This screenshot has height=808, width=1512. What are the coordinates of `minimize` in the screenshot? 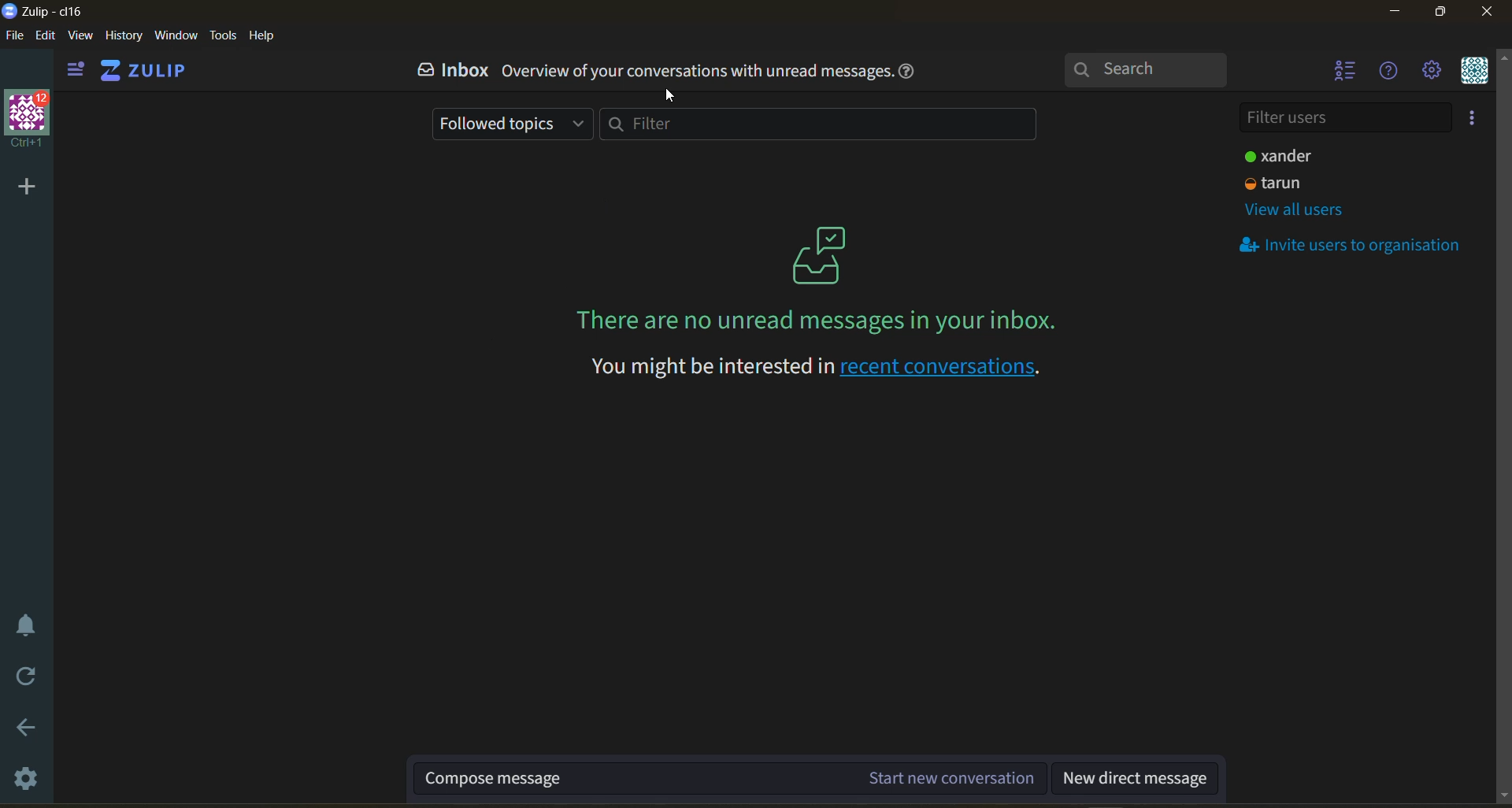 It's located at (1394, 13).